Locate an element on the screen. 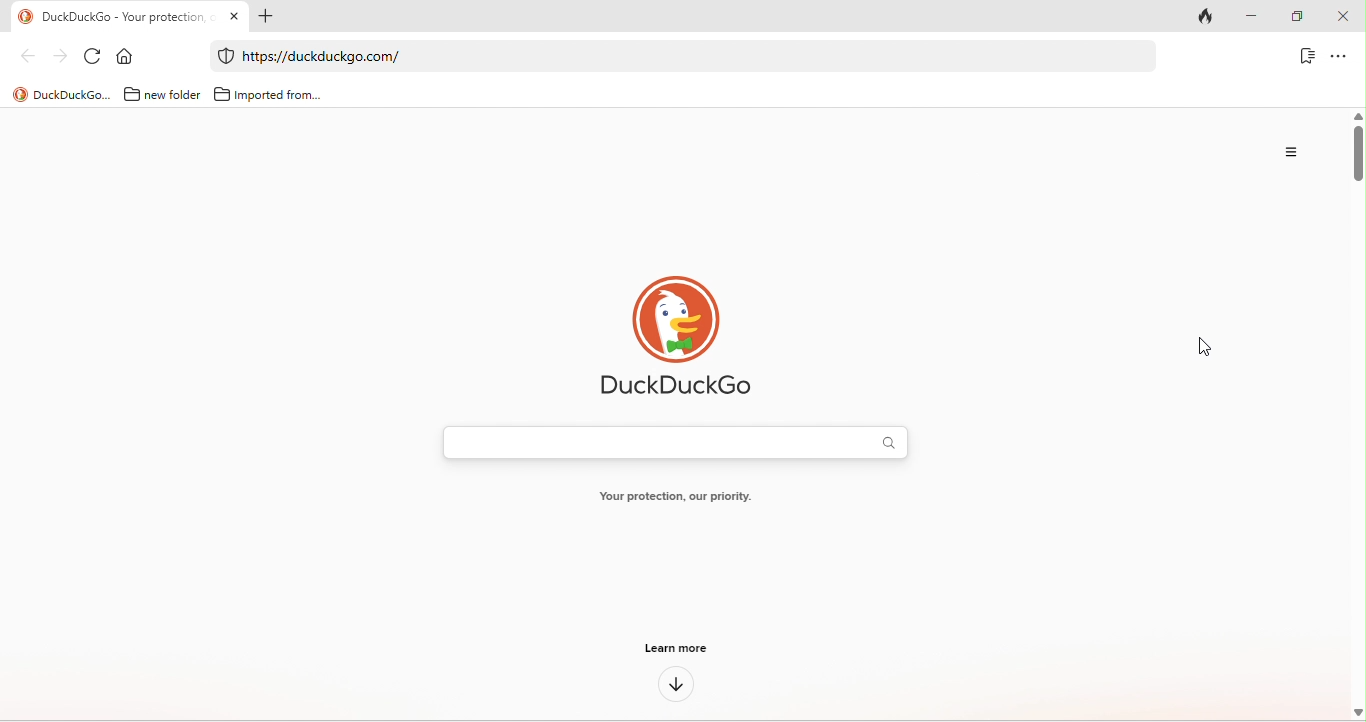 The width and height of the screenshot is (1366, 722). title is located at coordinates (58, 94).